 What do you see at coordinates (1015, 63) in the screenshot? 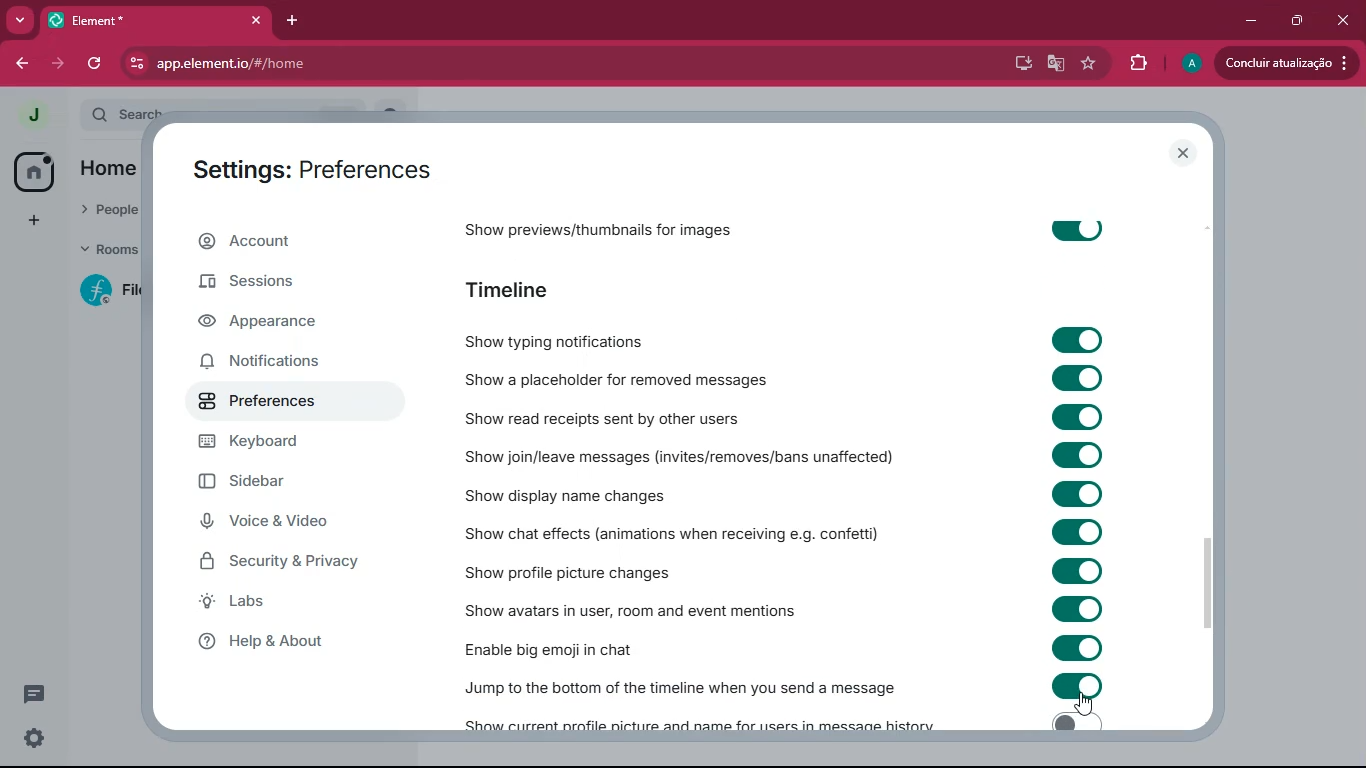
I see `desktop` at bounding box center [1015, 63].